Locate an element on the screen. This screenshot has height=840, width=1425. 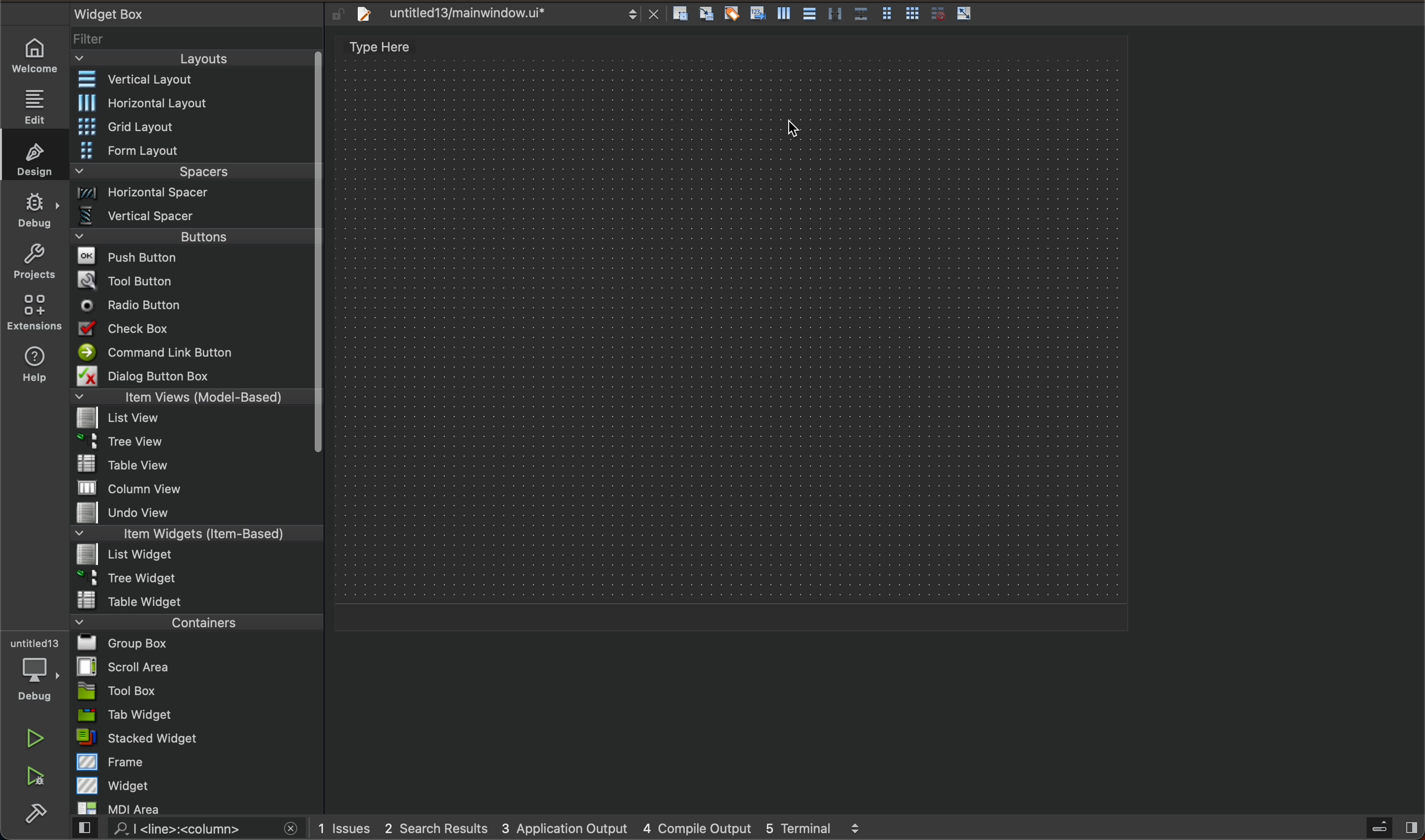
tab order is located at coordinates (759, 12).